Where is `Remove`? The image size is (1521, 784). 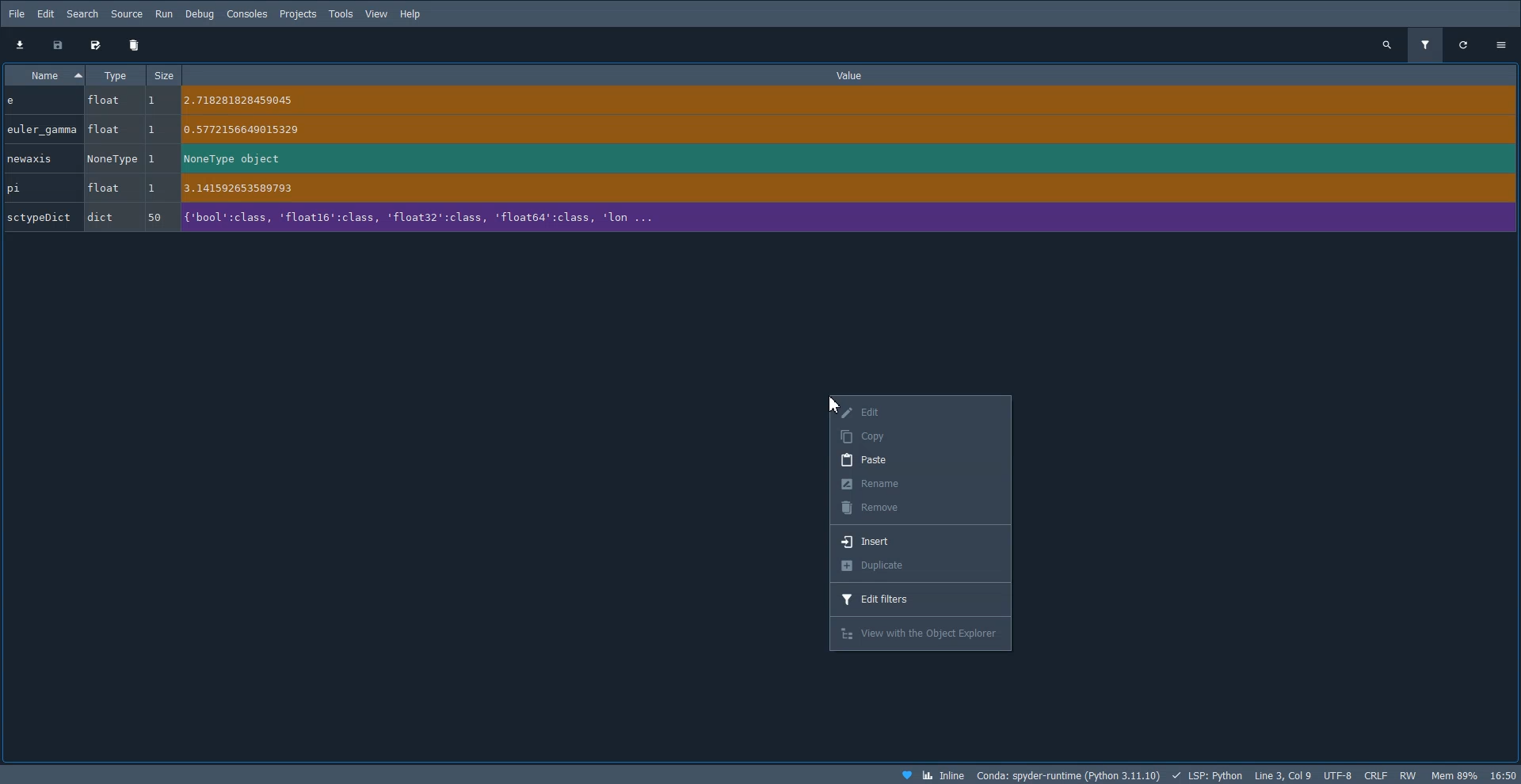 Remove is located at coordinates (921, 508).